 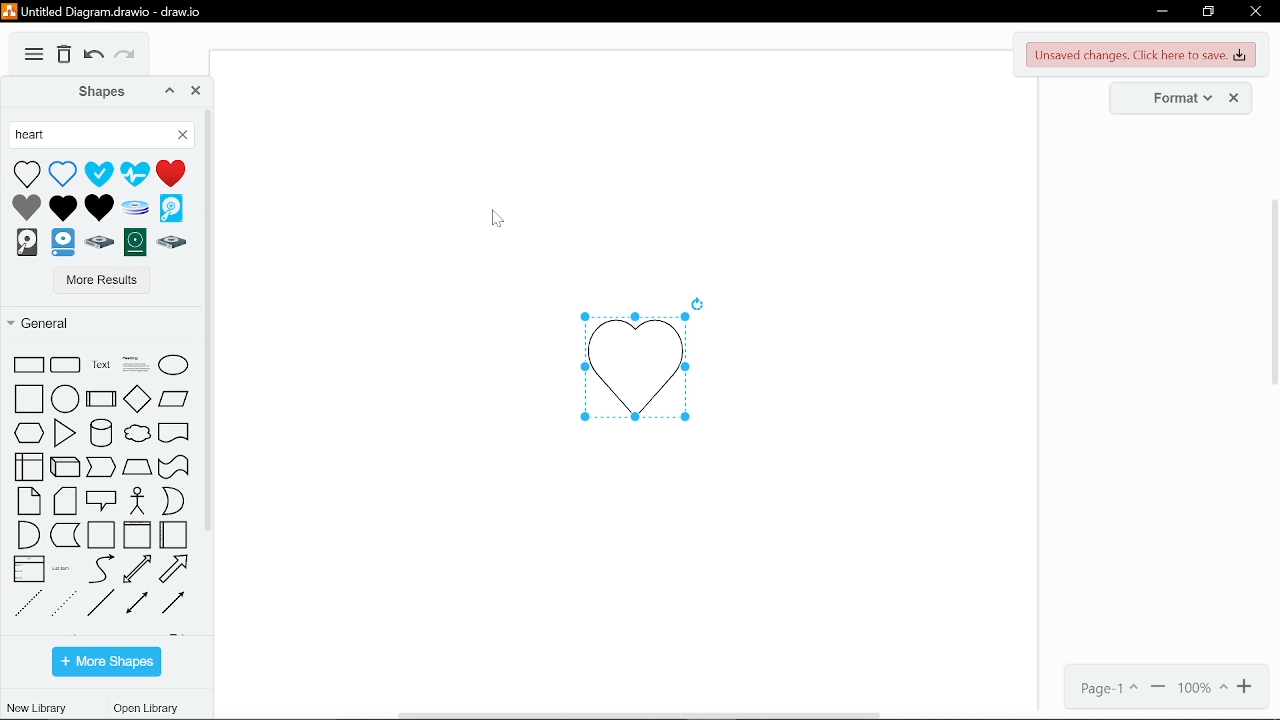 I want to click on heart, so click(x=171, y=173).